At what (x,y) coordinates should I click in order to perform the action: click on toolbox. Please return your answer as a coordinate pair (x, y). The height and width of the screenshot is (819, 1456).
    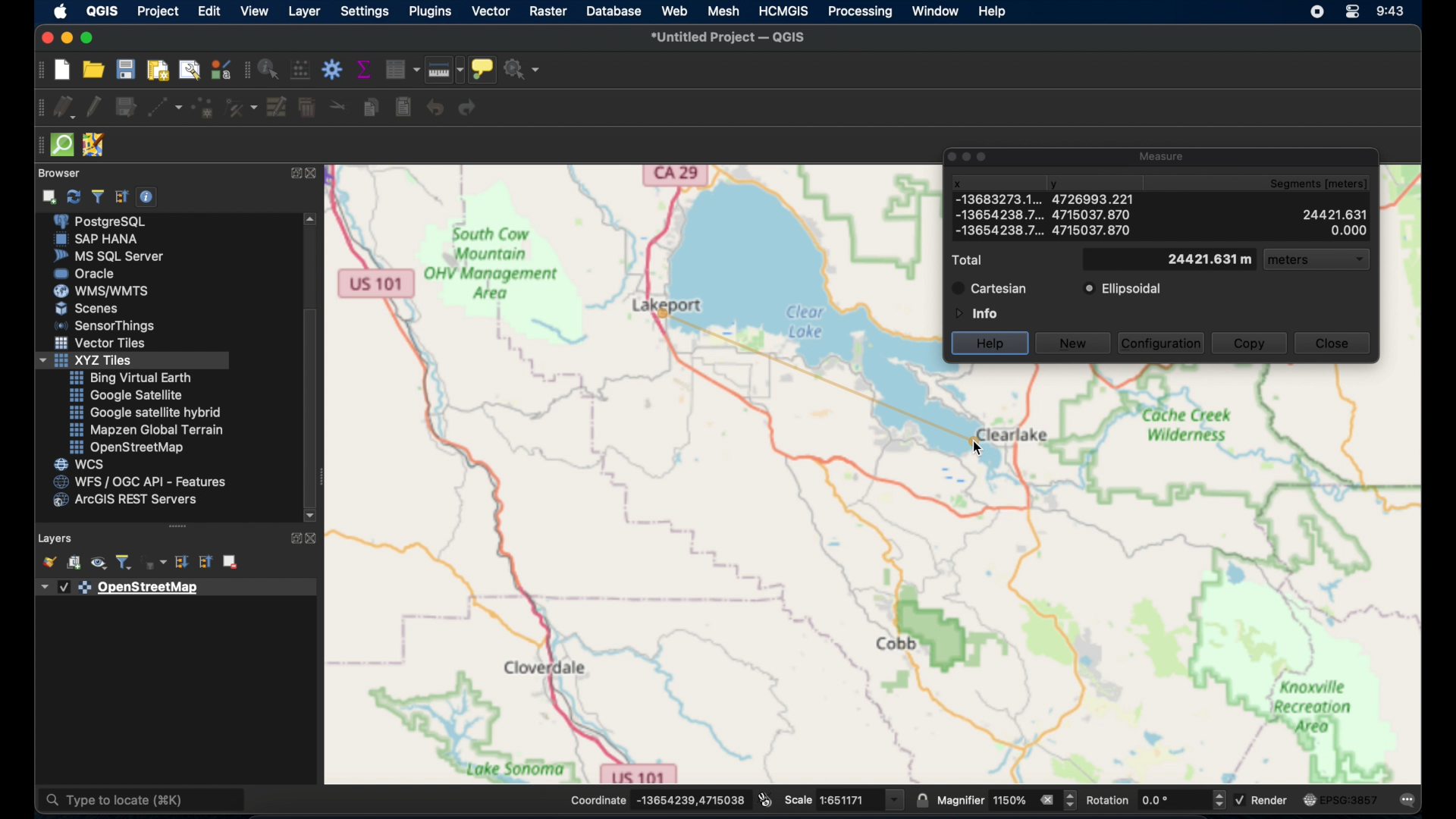
    Looking at the image, I should click on (331, 69).